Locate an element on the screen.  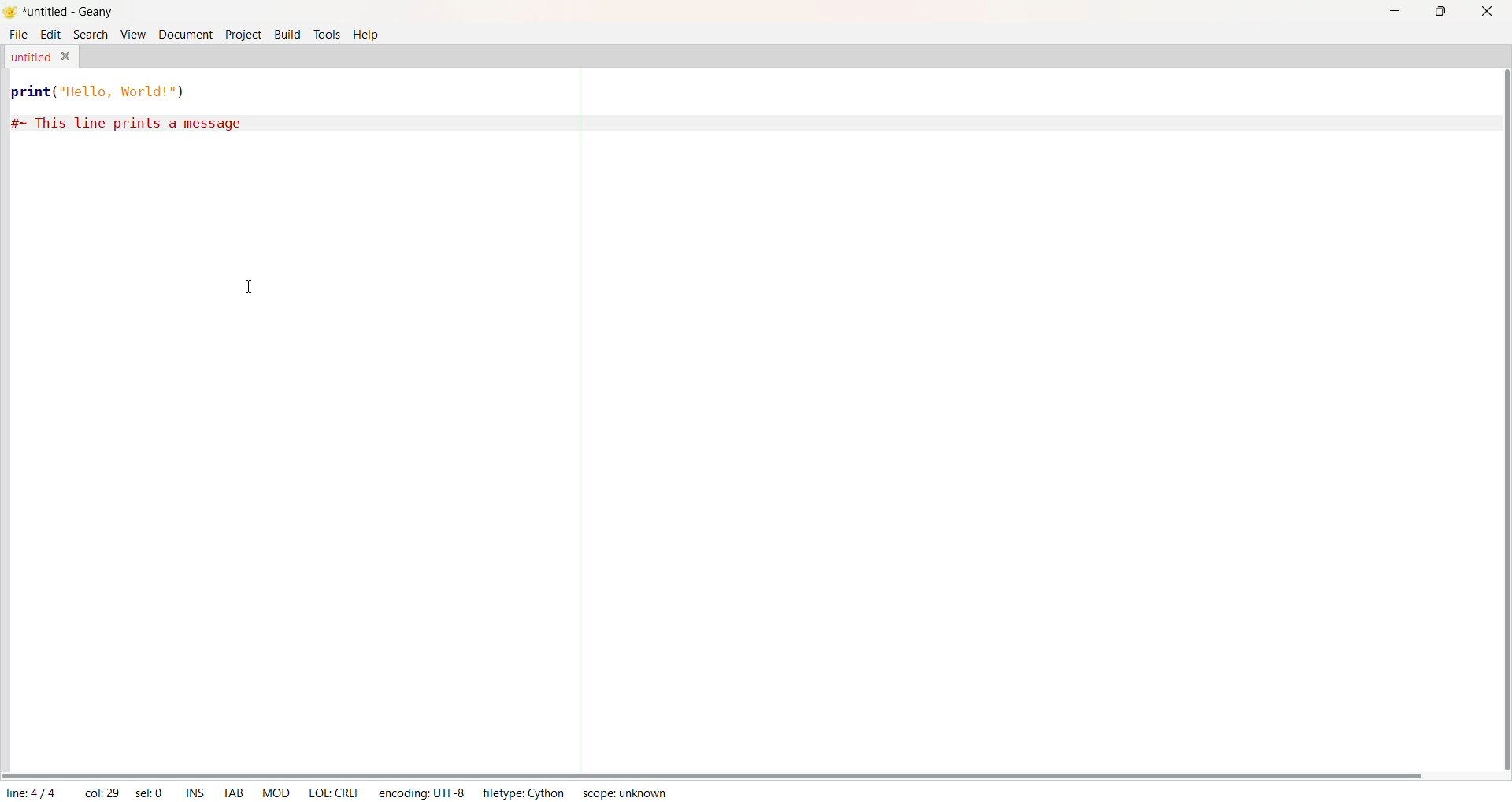
Horizontal Scroll Bar is located at coordinates (713, 771).